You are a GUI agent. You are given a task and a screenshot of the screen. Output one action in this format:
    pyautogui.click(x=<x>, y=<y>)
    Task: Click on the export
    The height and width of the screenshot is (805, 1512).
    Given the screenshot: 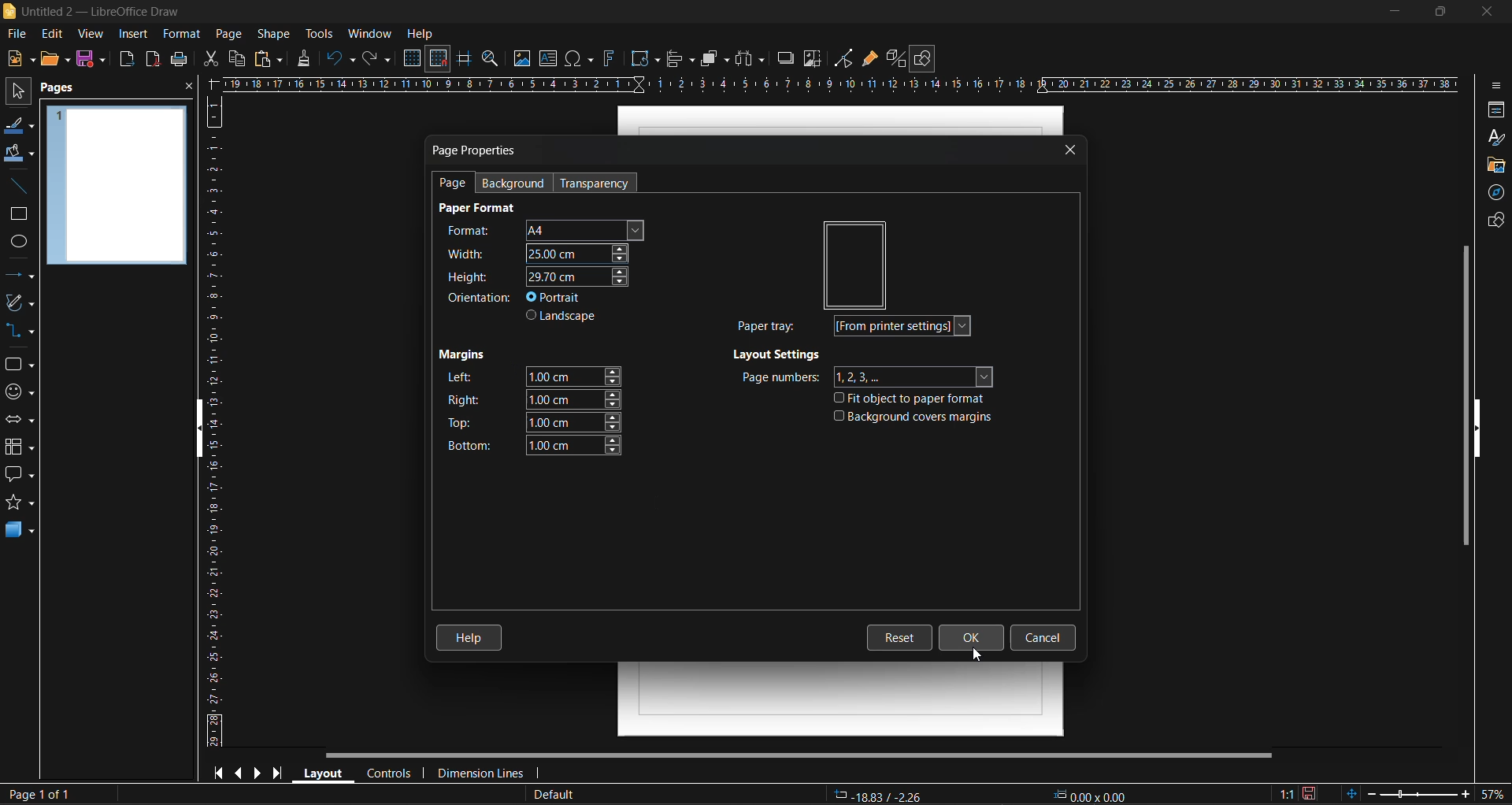 What is the action you would take?
    pyautogui.click(x=128, y=59)
    